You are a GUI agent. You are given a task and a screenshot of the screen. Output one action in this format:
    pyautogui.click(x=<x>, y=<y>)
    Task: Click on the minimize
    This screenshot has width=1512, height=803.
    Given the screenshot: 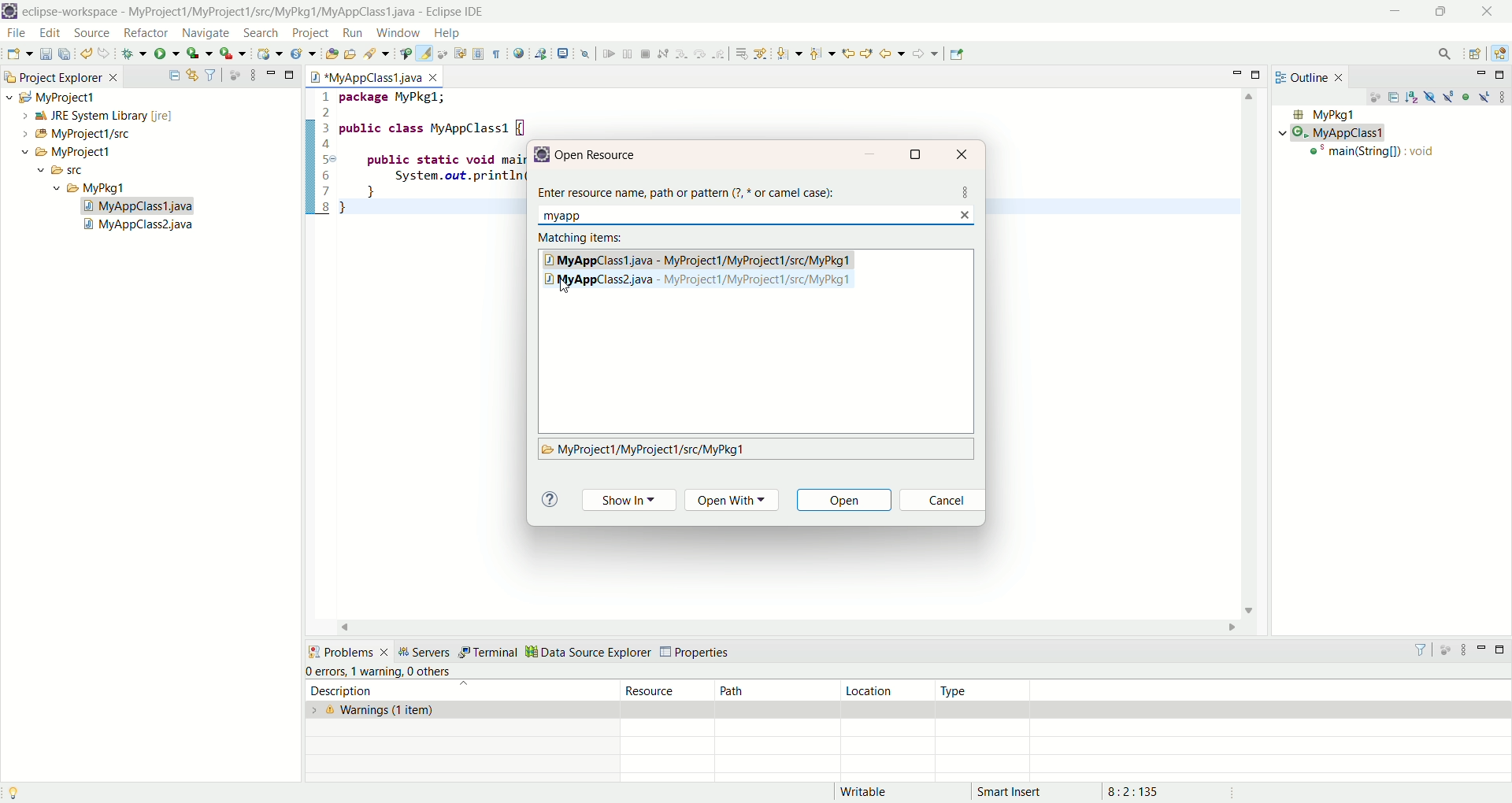 What is the action you would take?
    pyautogui.click(x=1395, y=10)
    